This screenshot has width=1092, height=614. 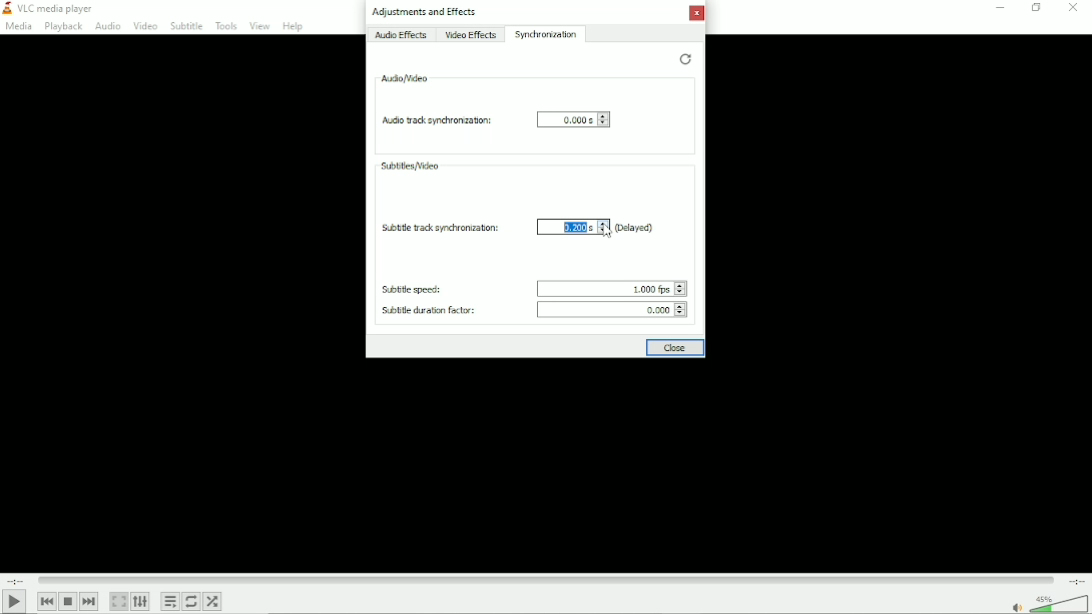 What do you see at coordinates (414, 289) in the screenshot?
I see `Subtitle speed` at bounding box center [414, 289].